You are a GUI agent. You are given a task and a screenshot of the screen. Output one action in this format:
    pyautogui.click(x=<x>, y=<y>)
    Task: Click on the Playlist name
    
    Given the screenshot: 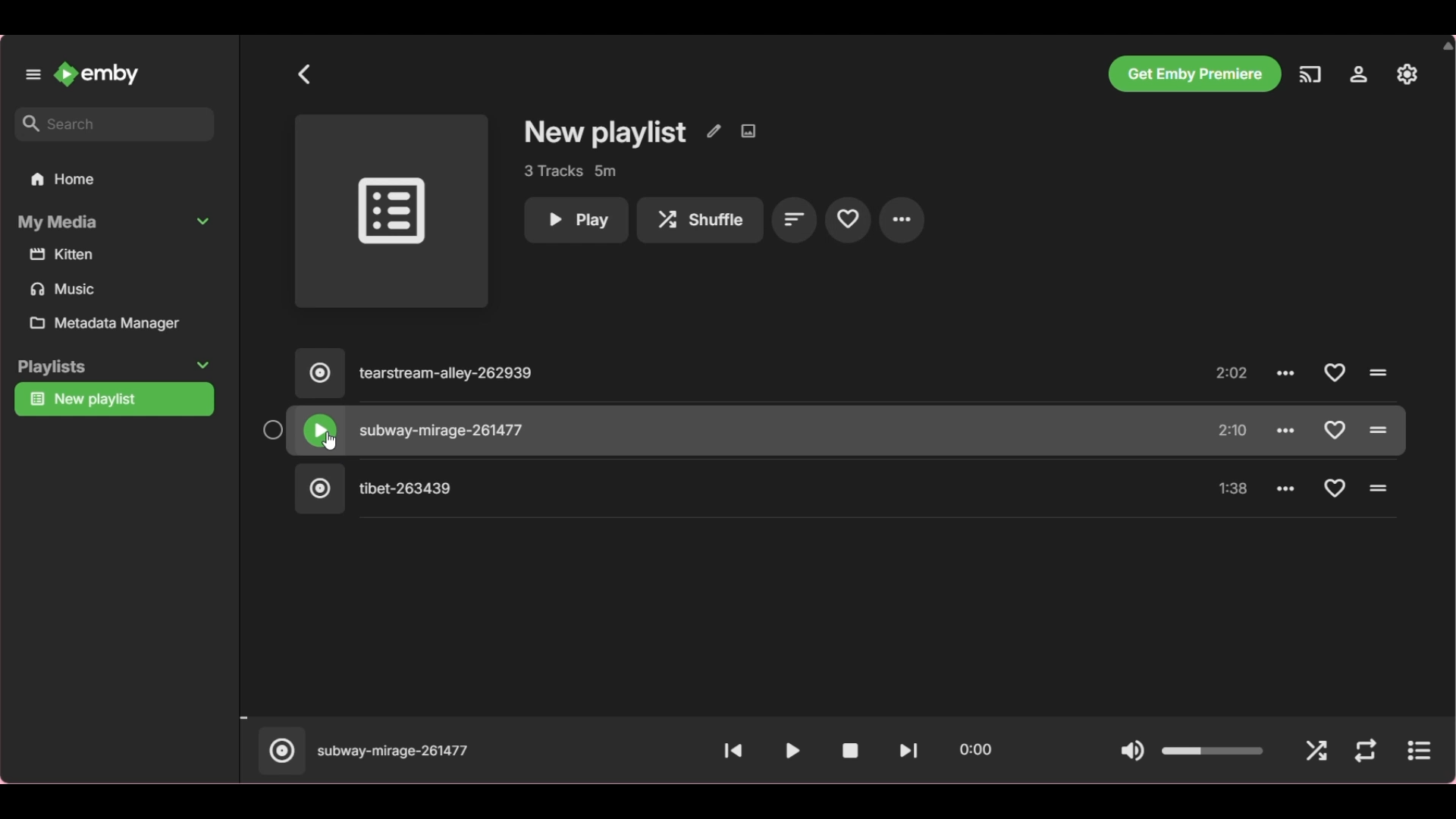 What is the action you would take?
    pyautogui.click(x=606, y=133)
    